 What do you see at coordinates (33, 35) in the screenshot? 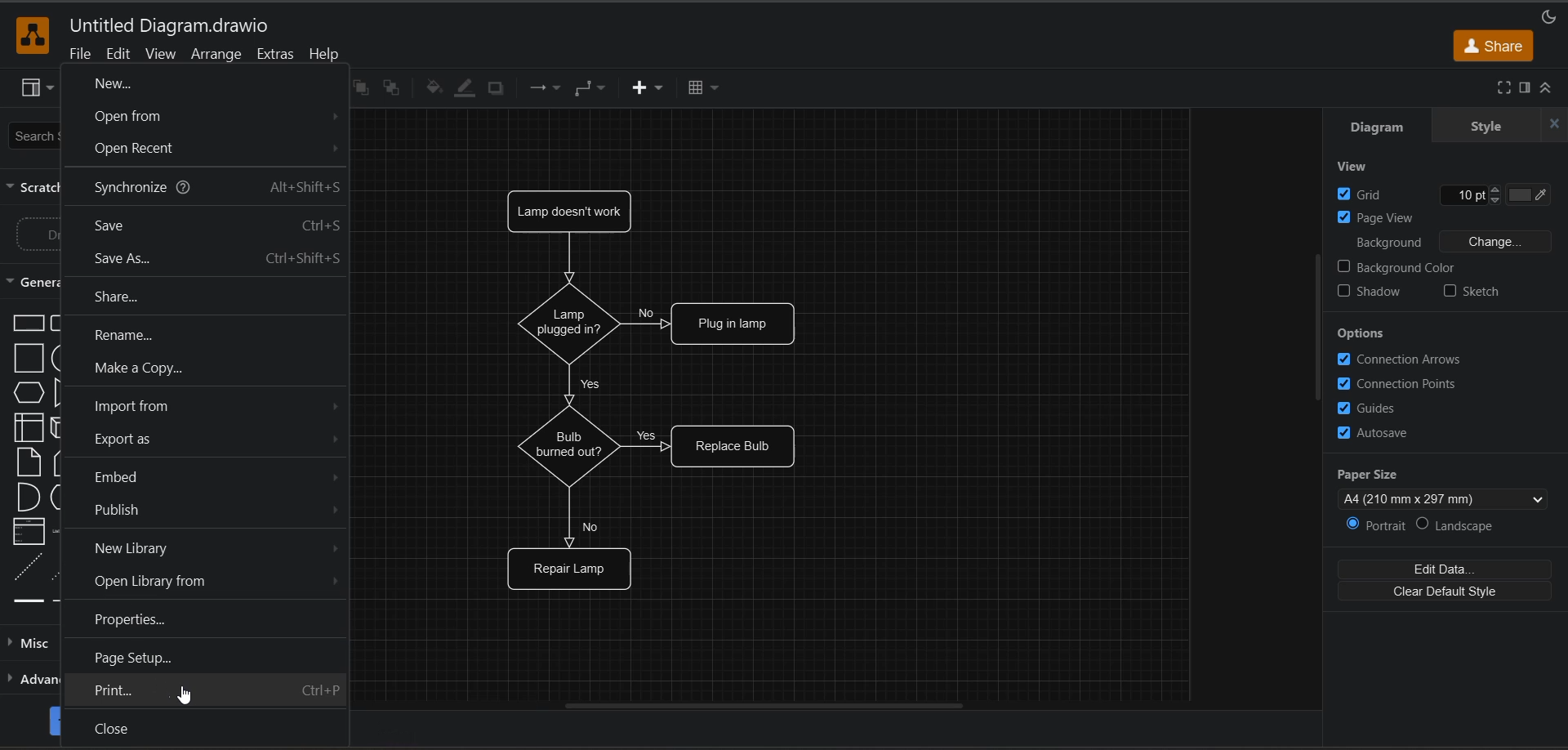
I see `app logo` at bounding box center [33, 35].